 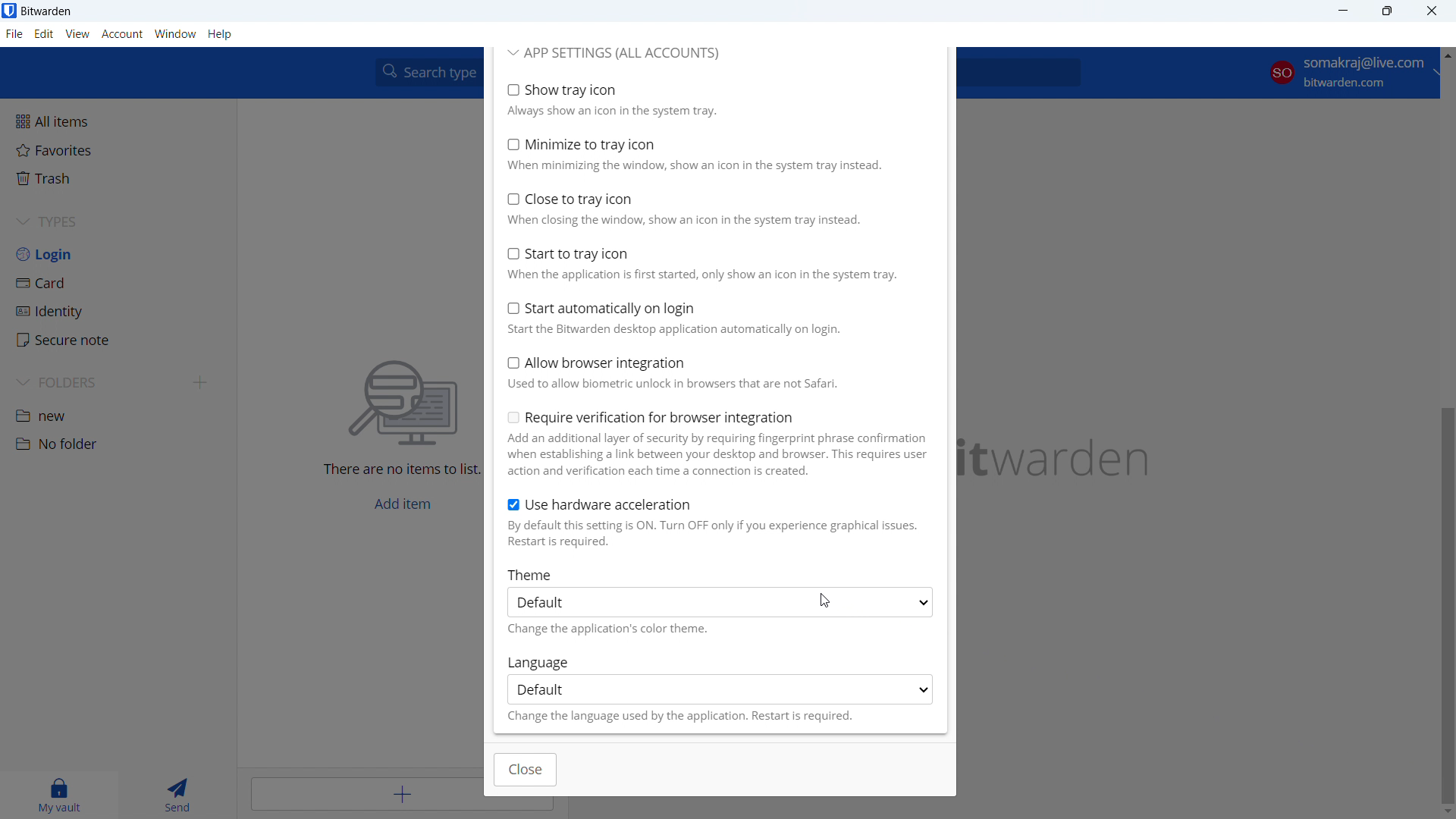 What do you see at coordinates (118, 222) in the screenshot?
I see `types` at bounding box center [118, 222].